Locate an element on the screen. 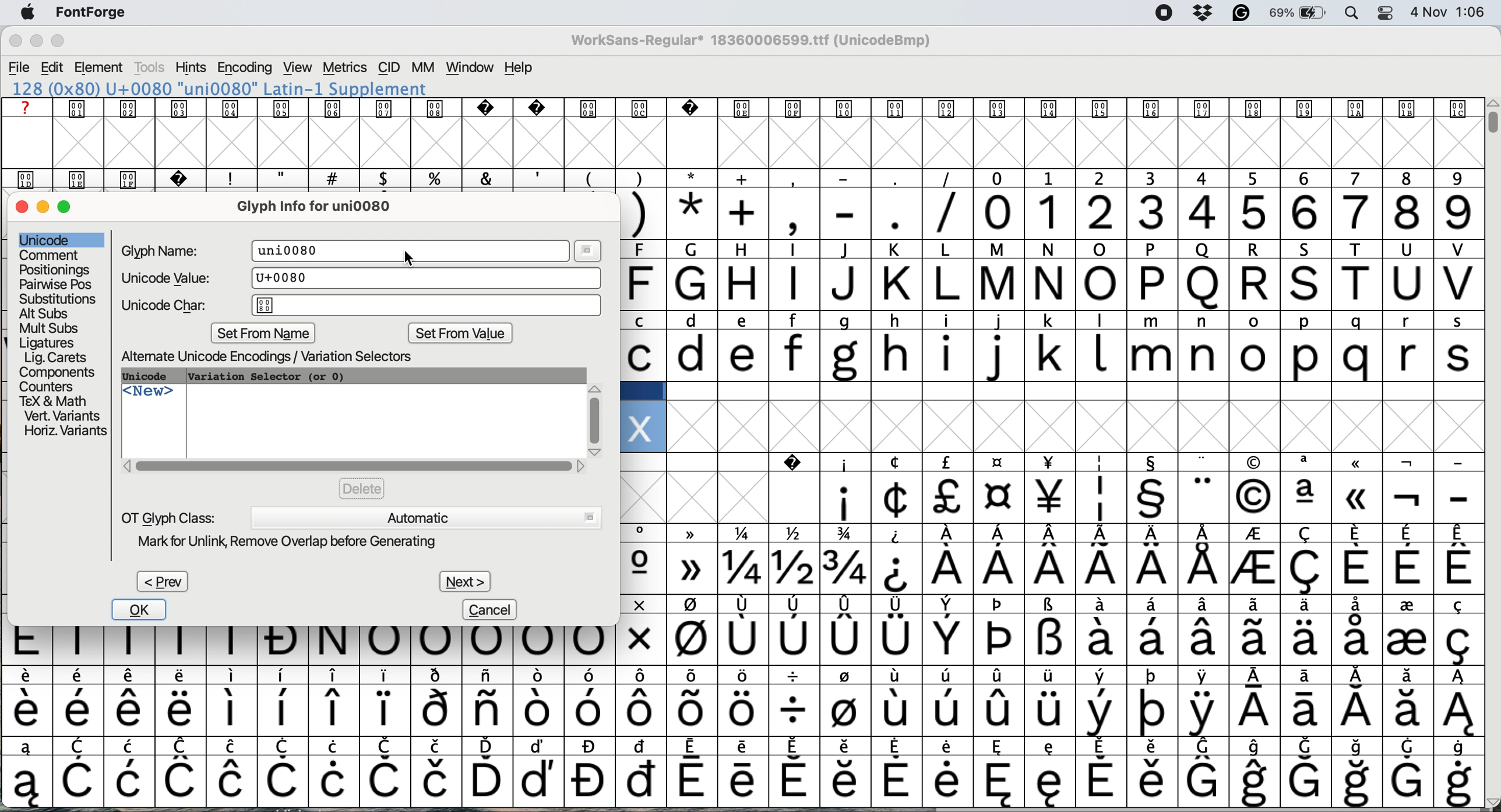 The width and height of the screenshot is (1501, 812). alternate unicode encodings variation selectors is located at coordinates (280, 357).